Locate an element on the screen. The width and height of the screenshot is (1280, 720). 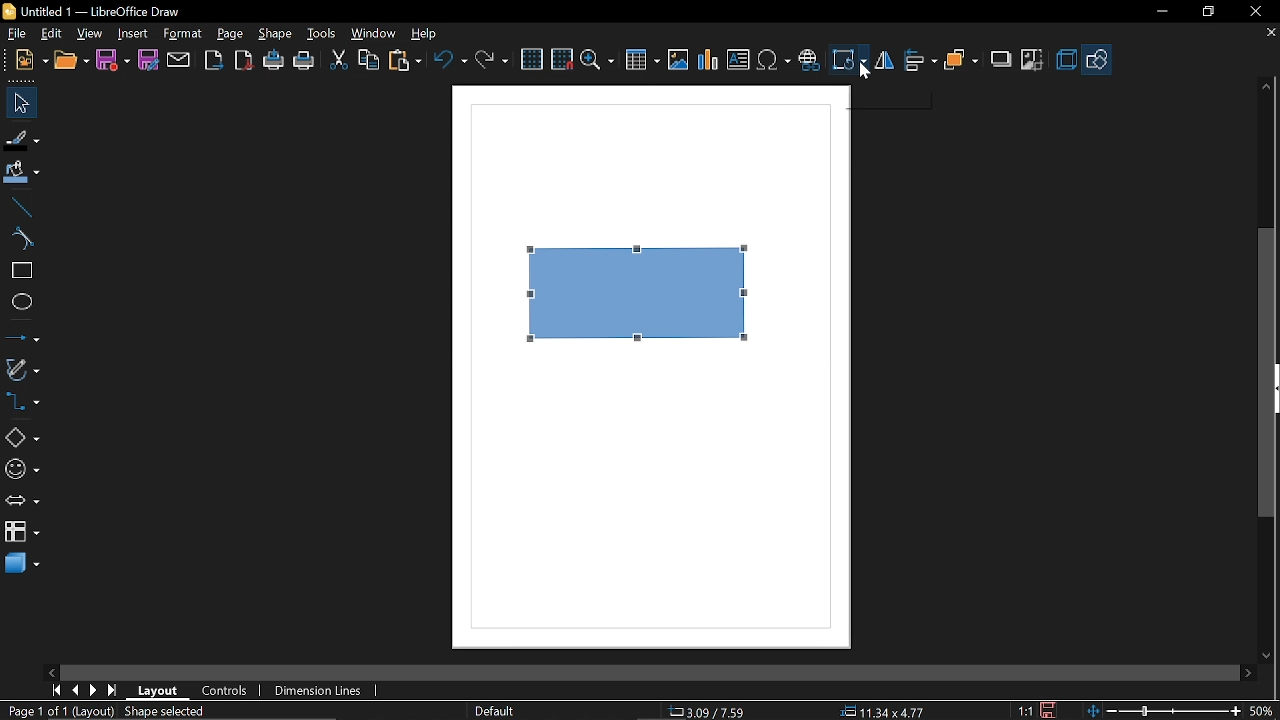
Current diagram is located at coordinates (638, 294).